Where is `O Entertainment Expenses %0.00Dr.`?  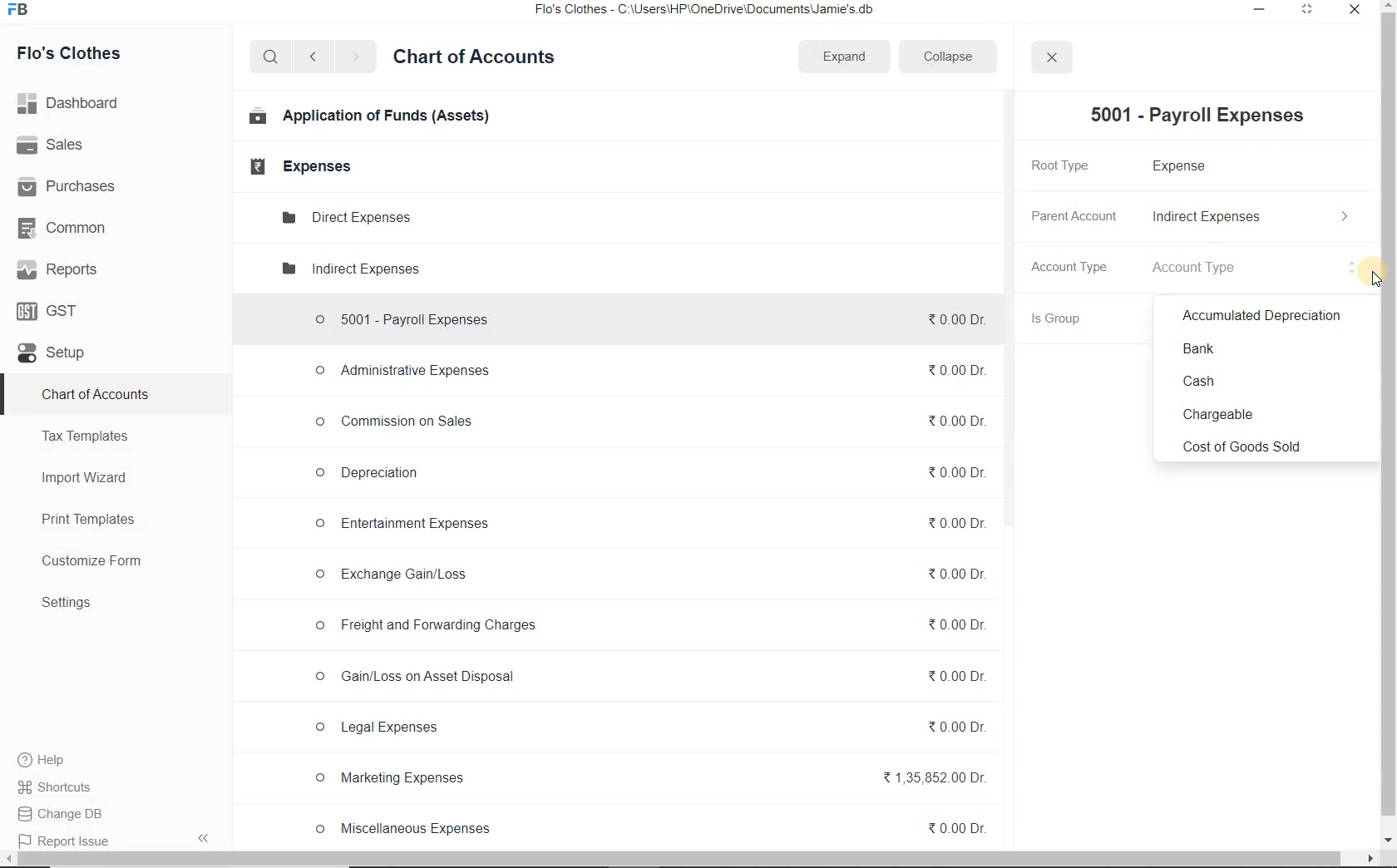
O Entertainment Expenses %0.00Dr. is located at coordinates (644, 525).